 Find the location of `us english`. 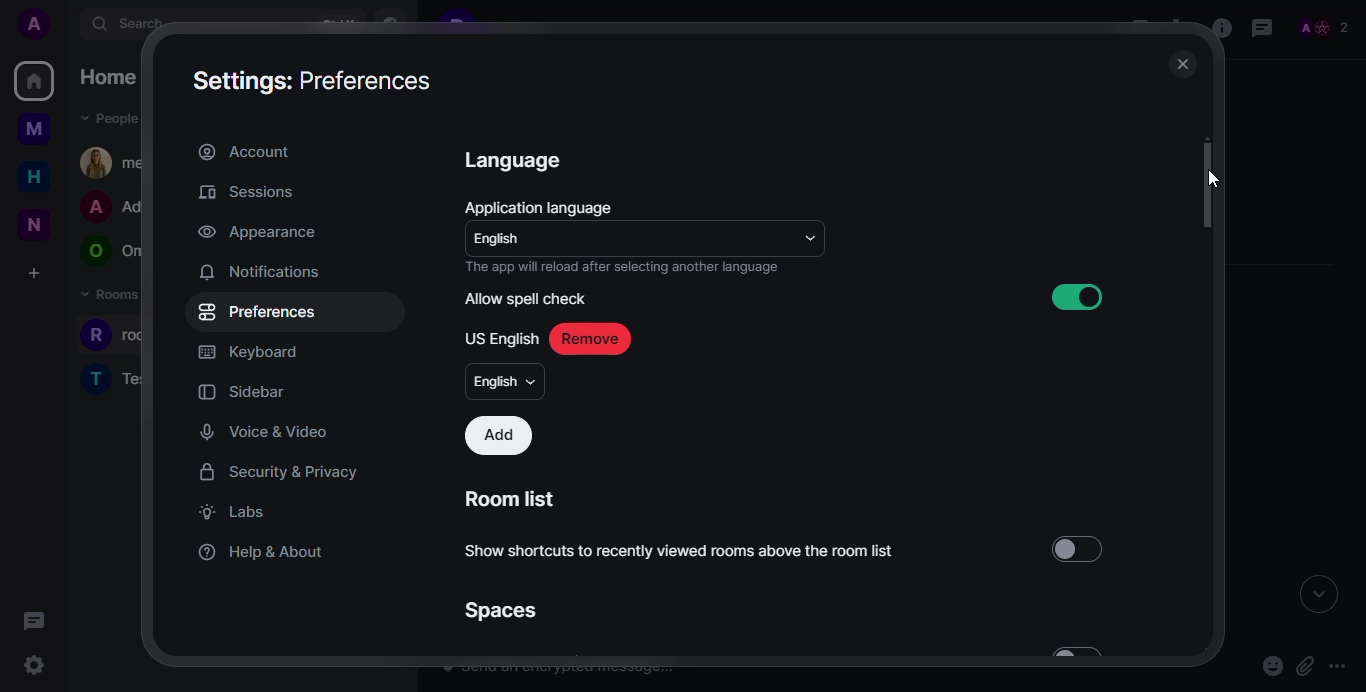

us english is located at coordinates (502, 338).